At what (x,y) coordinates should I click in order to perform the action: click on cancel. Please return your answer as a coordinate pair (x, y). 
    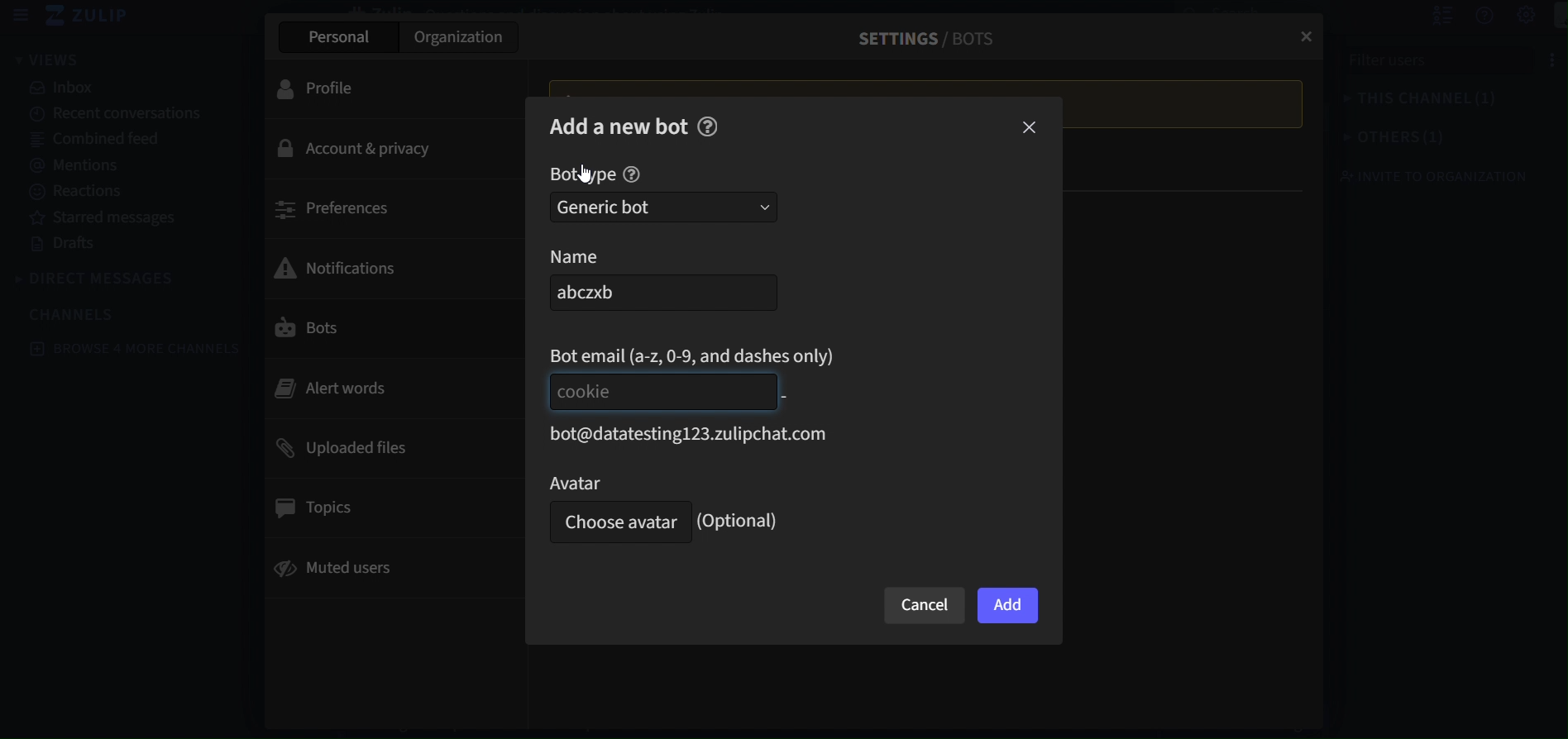
    Looking at the image, I should click on (925, 606).